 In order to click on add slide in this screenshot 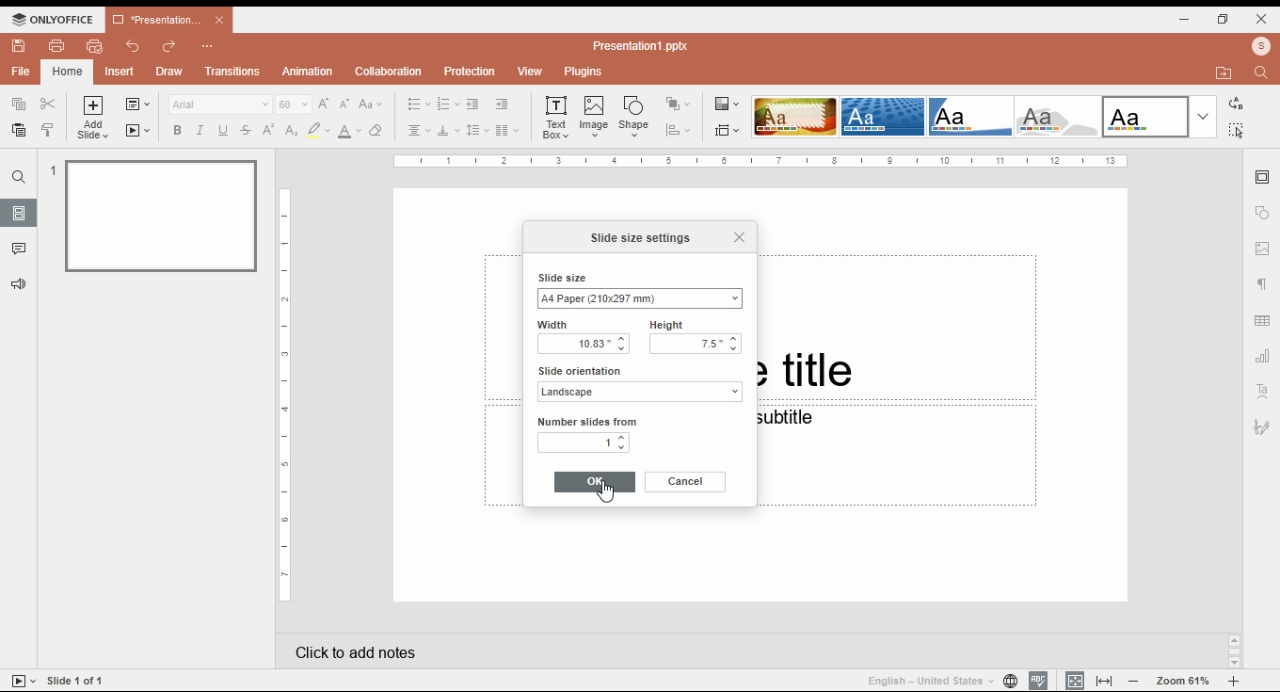, I will do `click(95, 118)`.